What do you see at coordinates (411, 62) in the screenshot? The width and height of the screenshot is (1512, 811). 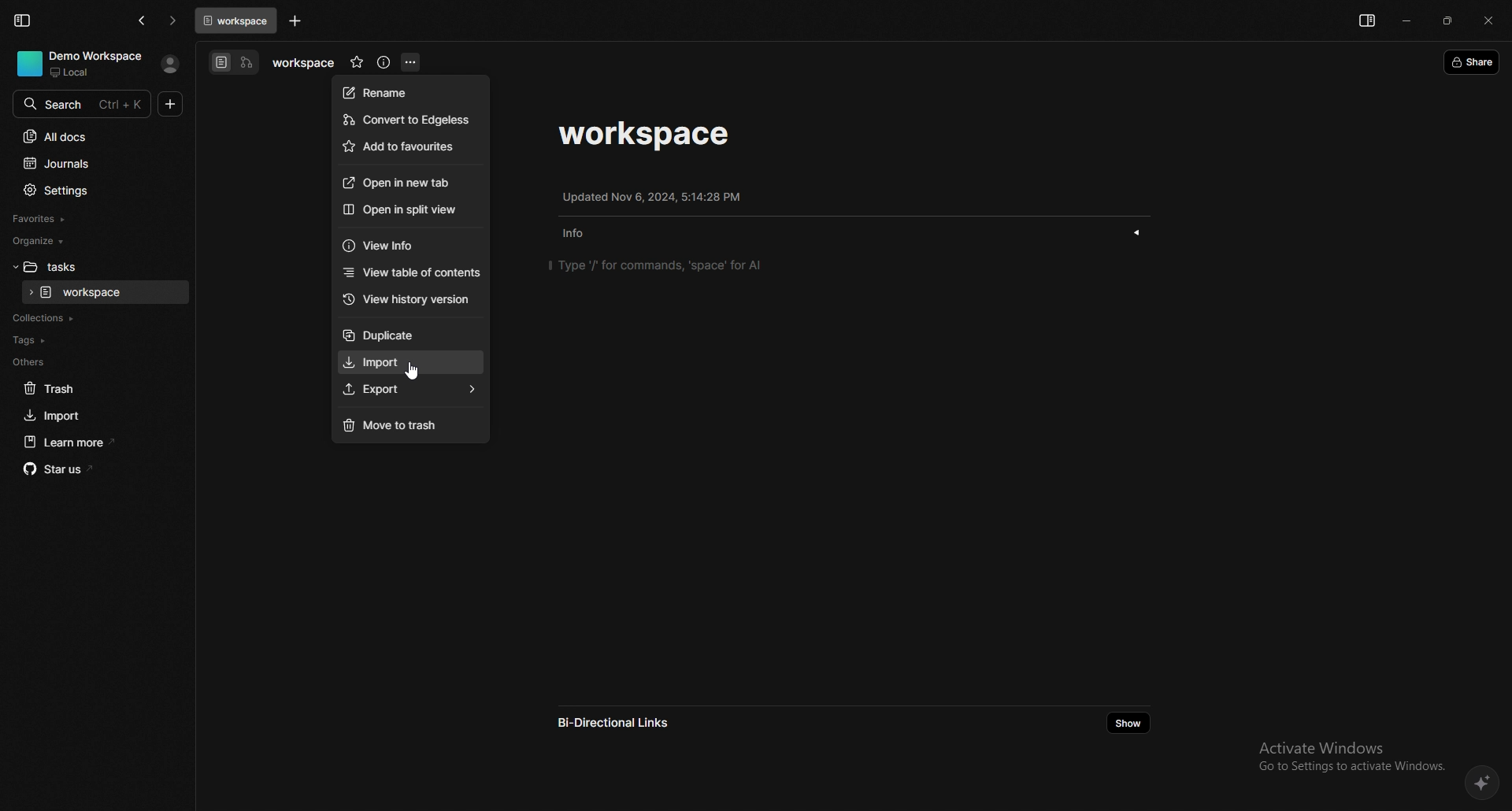 I see `options` at bounding box center [411, 62].